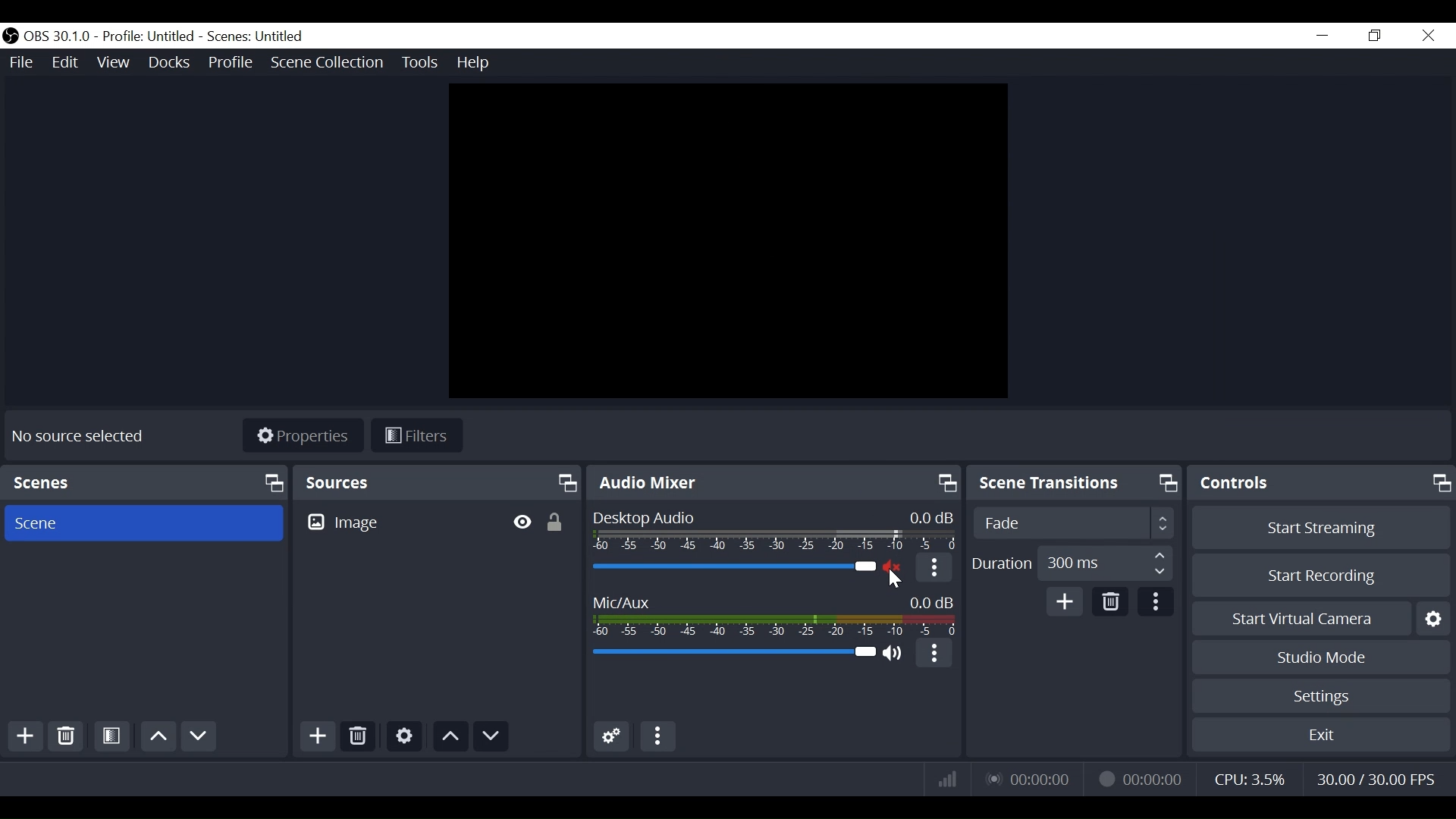  What do you see at coordinates (896, 578) in the screenshot?
I see `Cursor` at bounding box center [896, 578].